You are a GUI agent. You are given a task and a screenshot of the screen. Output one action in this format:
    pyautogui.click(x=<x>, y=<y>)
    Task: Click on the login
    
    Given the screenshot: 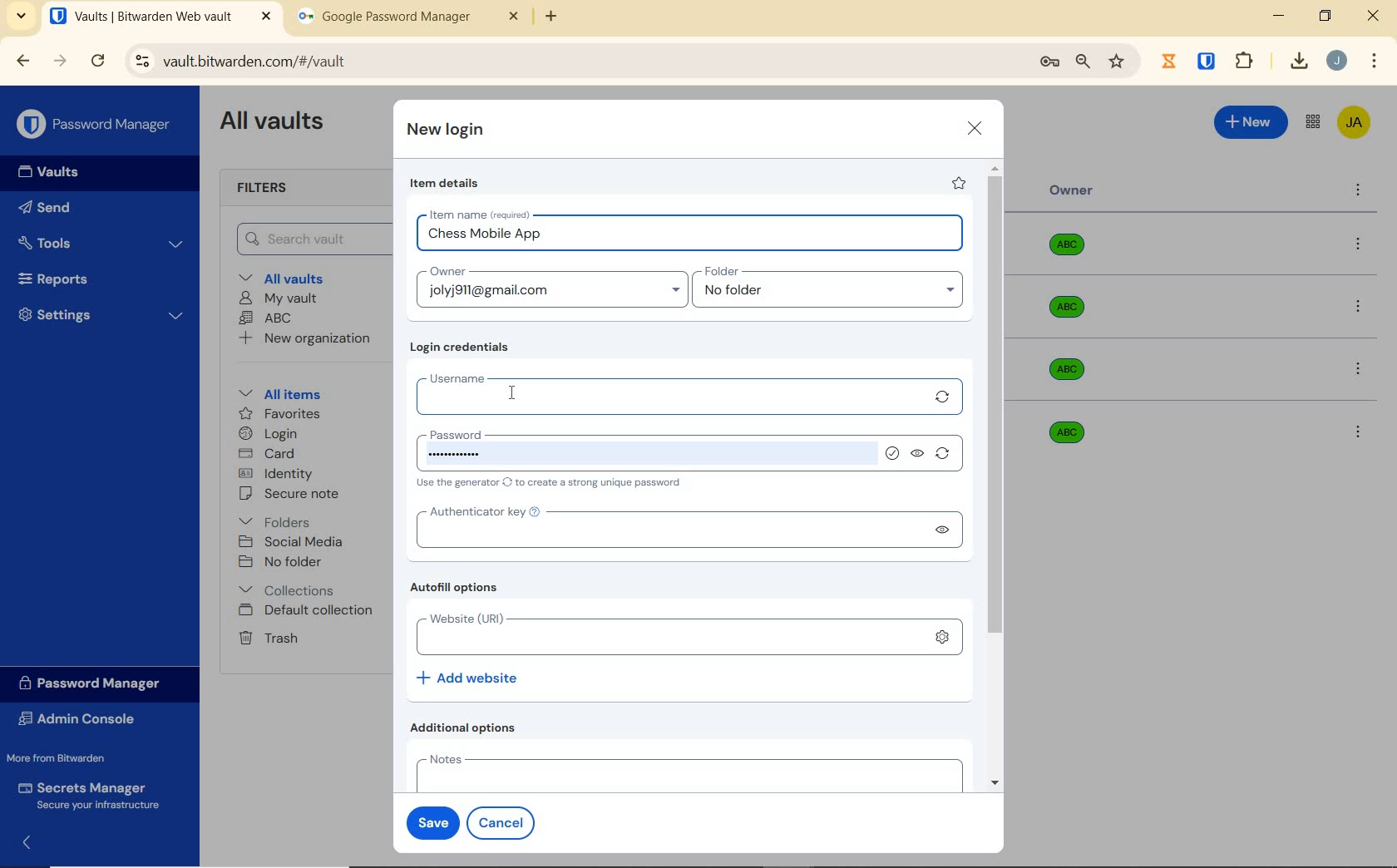 What is the action you would take?
    pyautogui.click(x=268, y=435)
    